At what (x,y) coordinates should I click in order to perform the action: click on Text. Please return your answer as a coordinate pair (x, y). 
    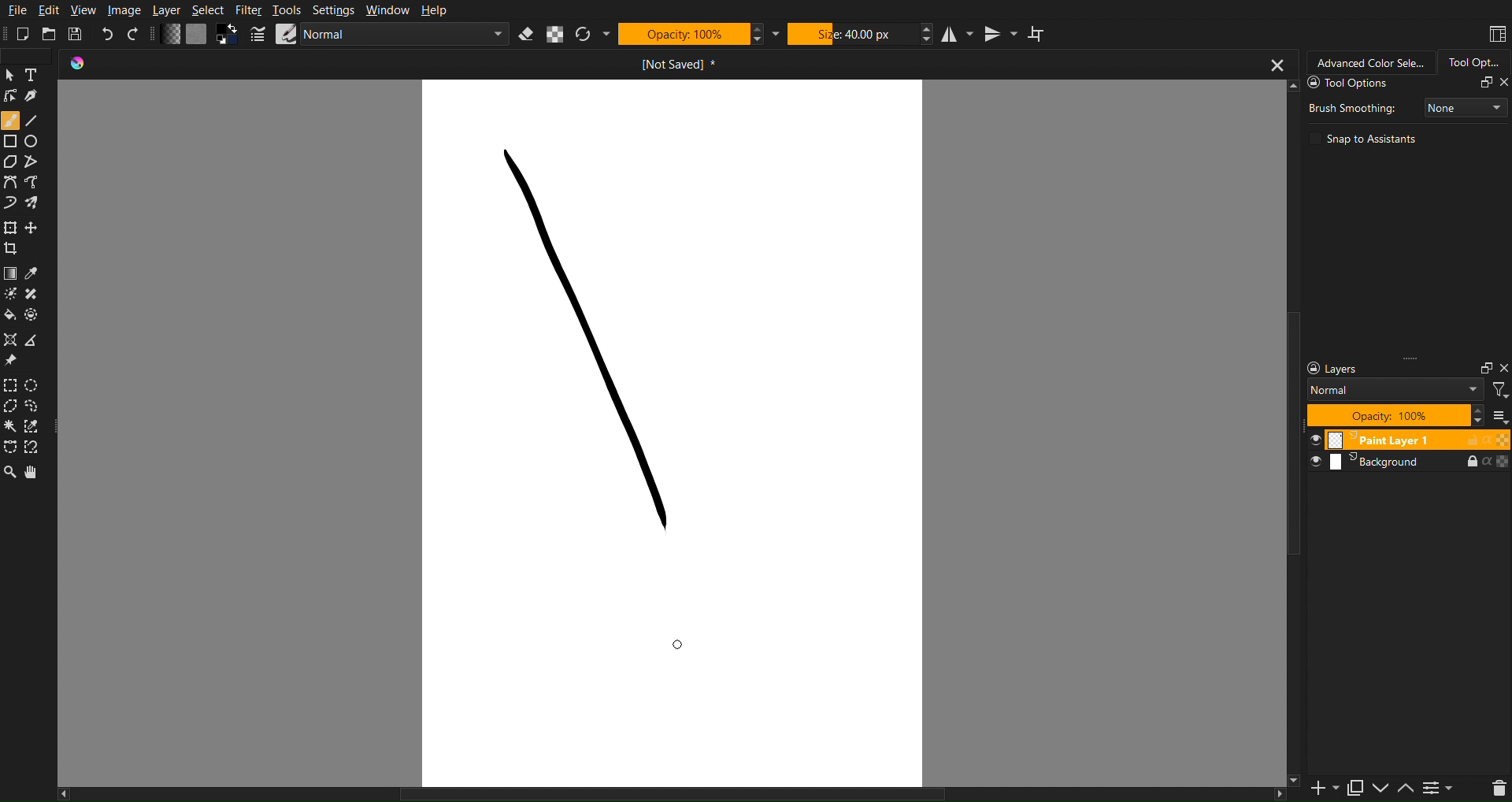
    Looking at the image, I should click on (37, 76).